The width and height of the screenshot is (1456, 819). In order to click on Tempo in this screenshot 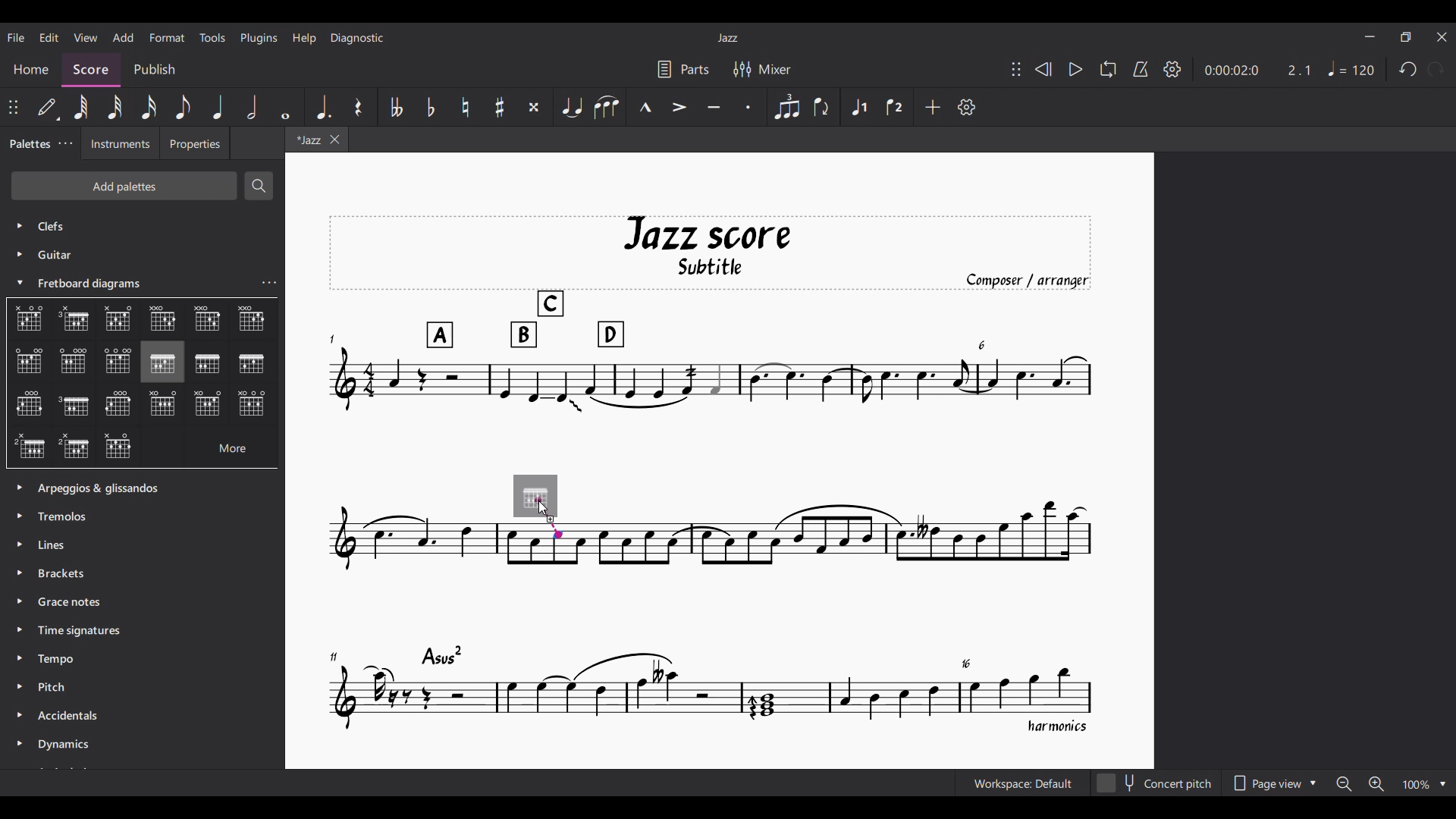, I will do `click(63, 661)`.